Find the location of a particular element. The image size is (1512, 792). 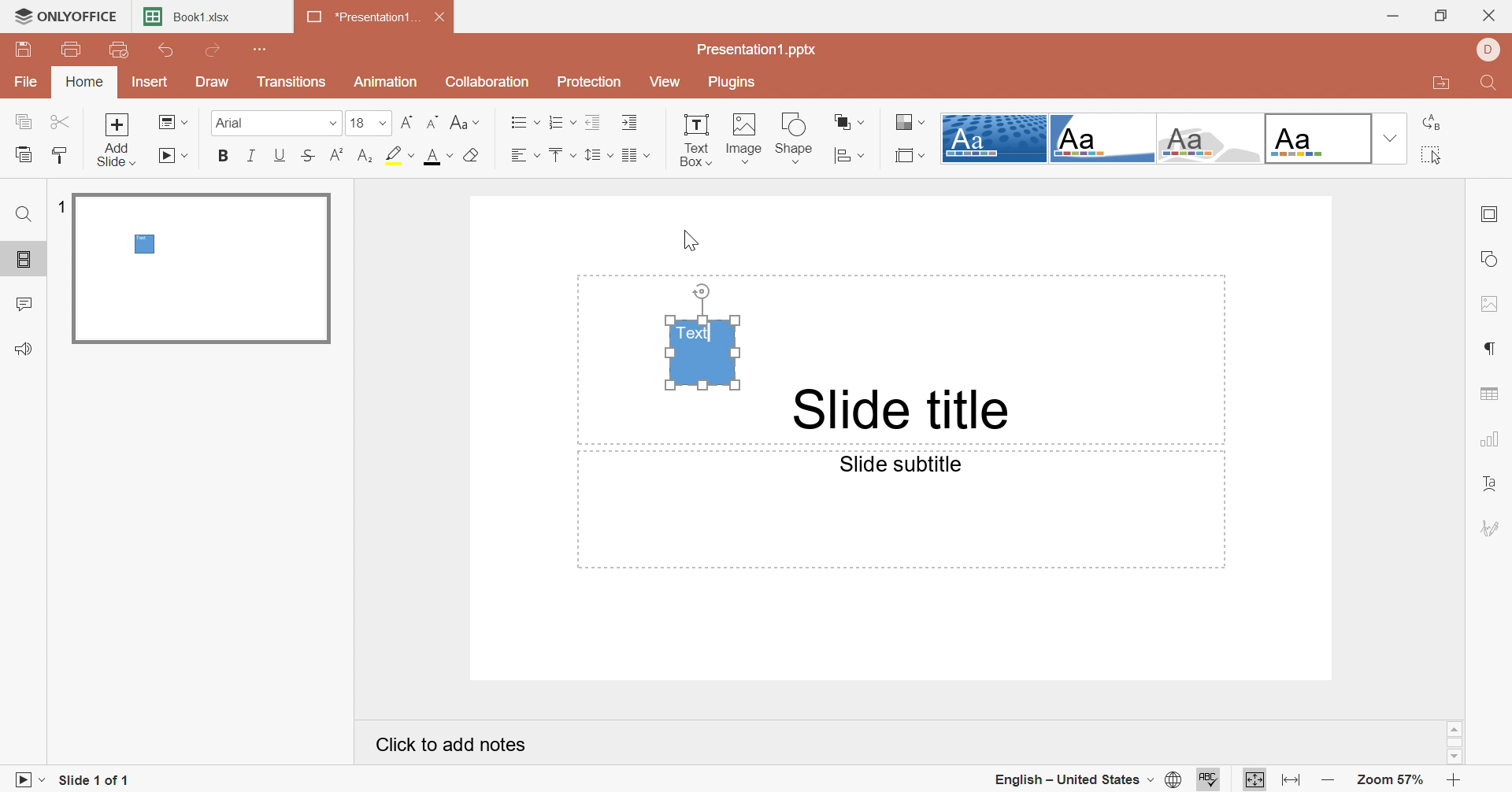

Scroll Bar is located at coordinates (1457, 743).